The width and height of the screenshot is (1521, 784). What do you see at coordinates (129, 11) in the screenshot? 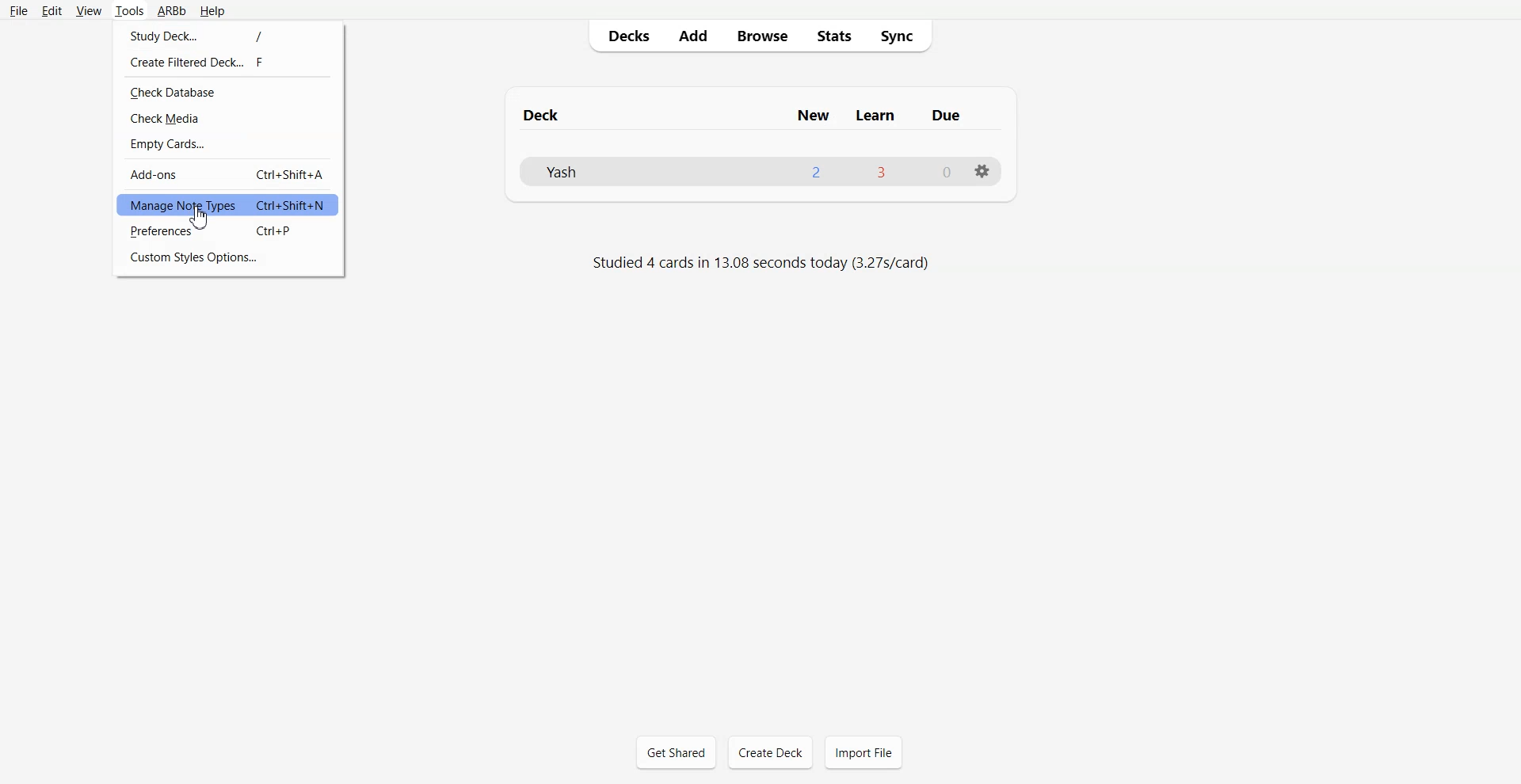
I see `Tools` at bounding box center [129, 11].